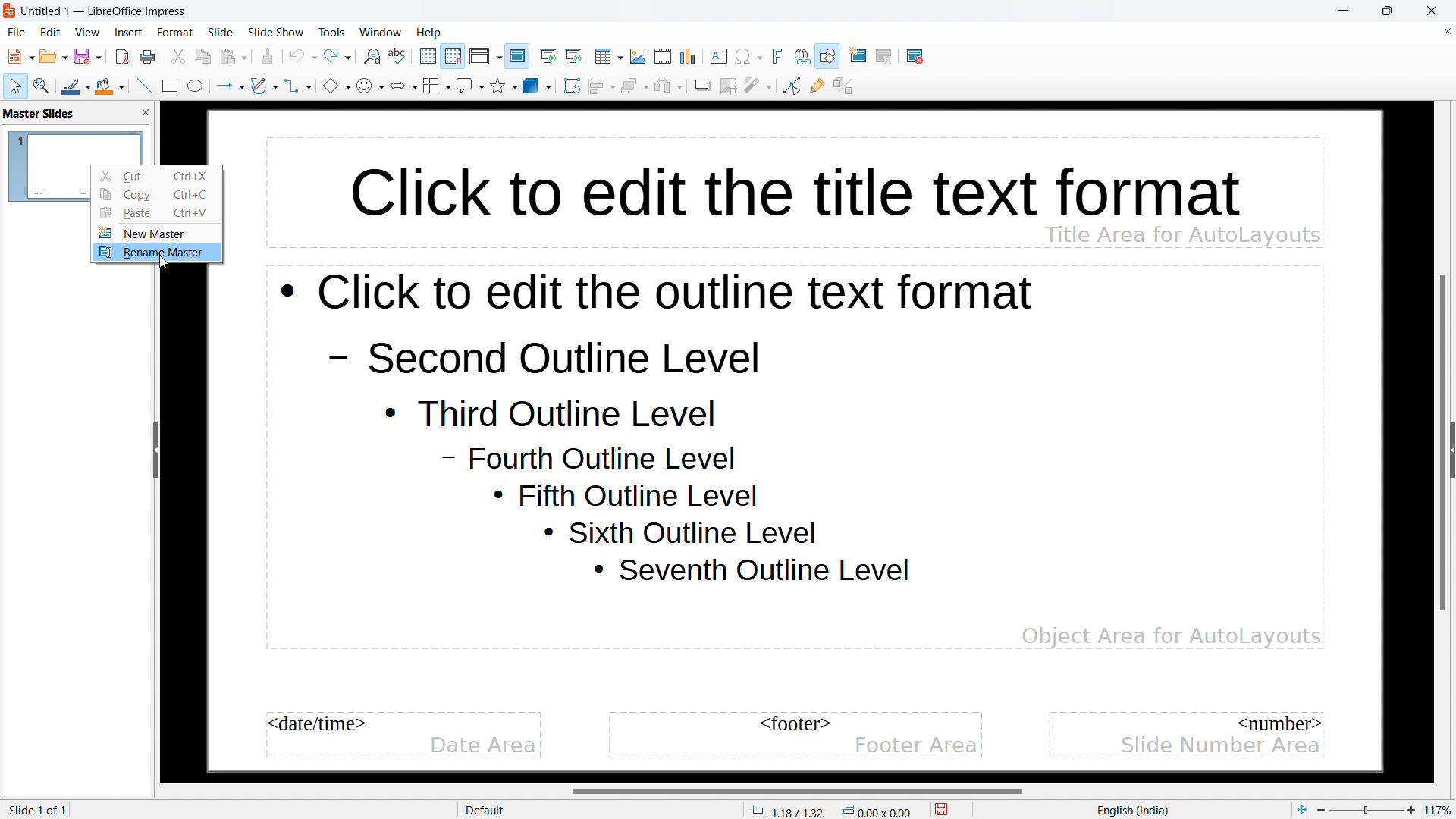 Image resolution: width=1456 pixels, height=819 pixels. I want to click on master slides, so click(39, 114).